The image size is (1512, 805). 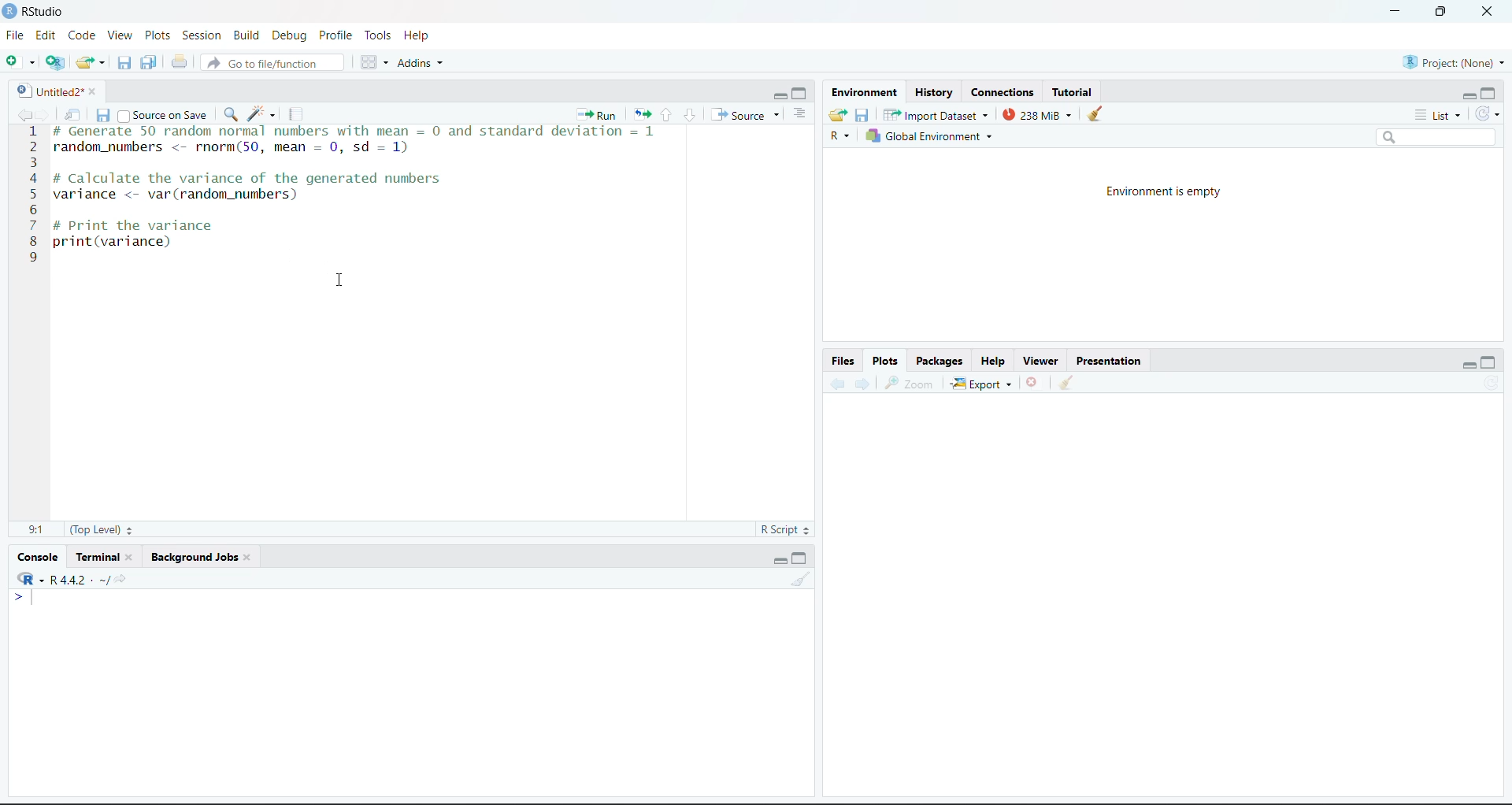 What do you see at coordinates (836, 384) in the screenshot?
I see `back` at bounding box center [836, 384].